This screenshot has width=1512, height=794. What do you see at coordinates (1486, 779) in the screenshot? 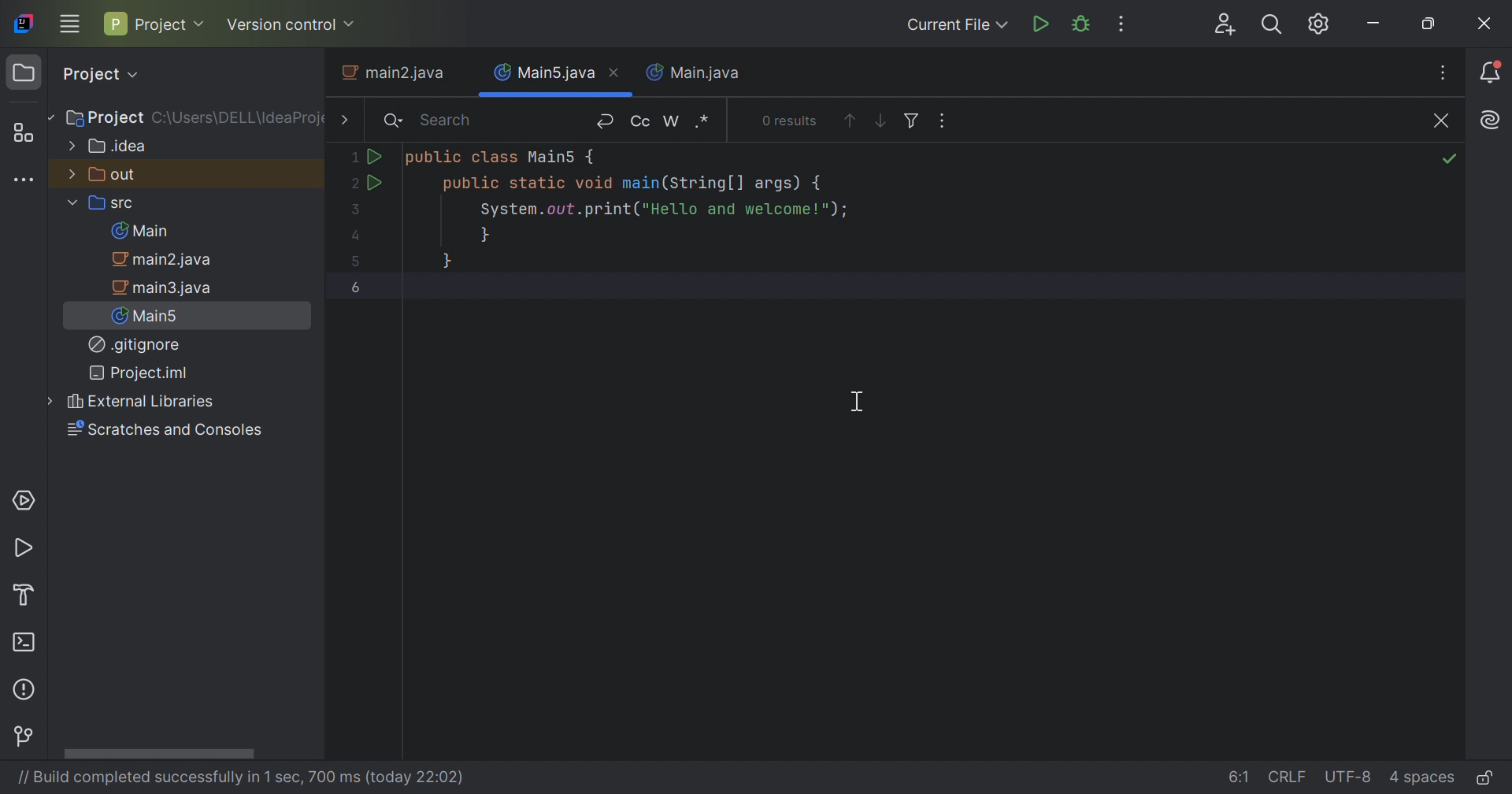
I see `Make file read-only` at bounding box center [1486, 779].